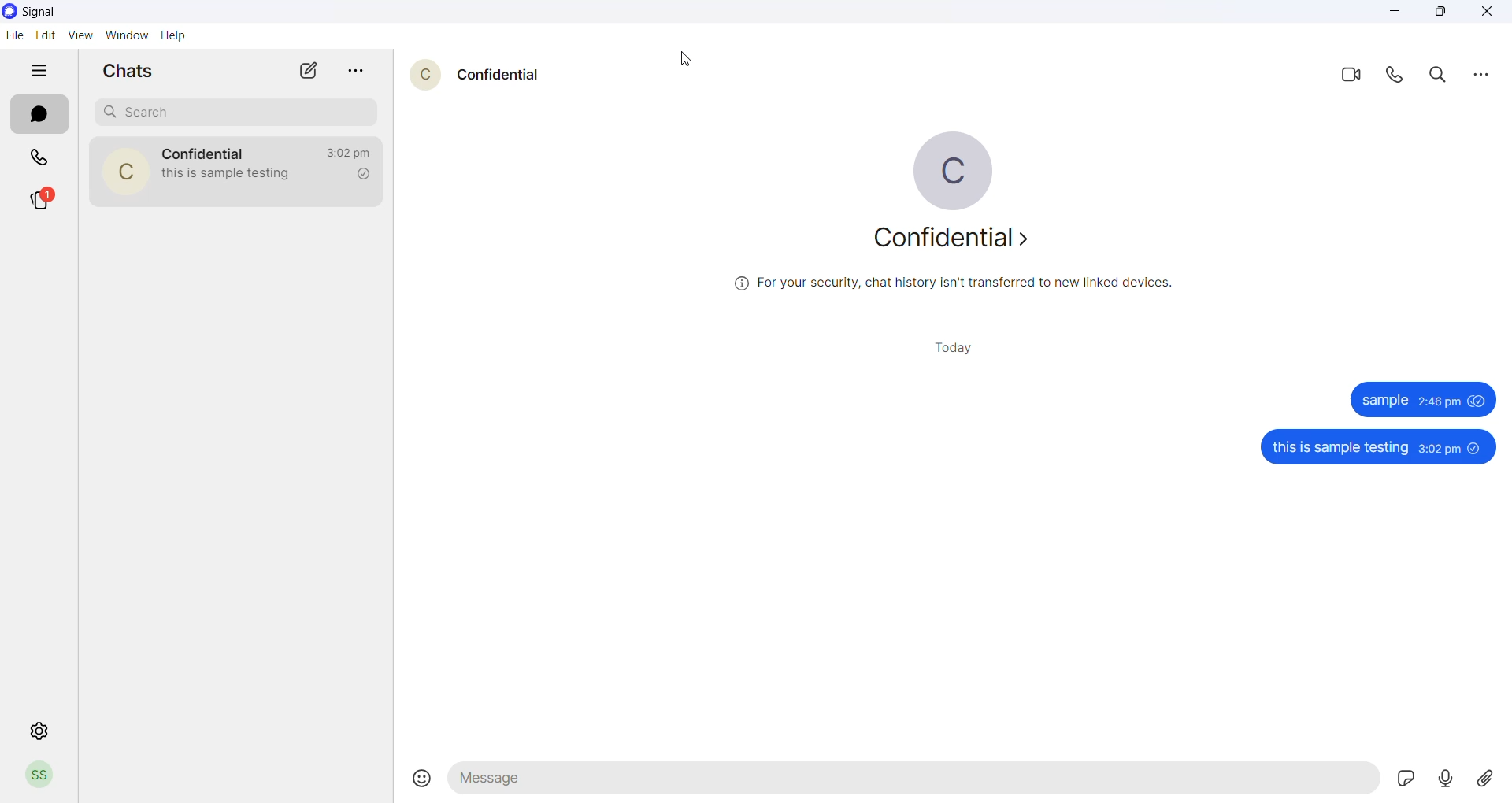 The image size is (1512, 803). I want to click on chats heading, so click(124, 72).